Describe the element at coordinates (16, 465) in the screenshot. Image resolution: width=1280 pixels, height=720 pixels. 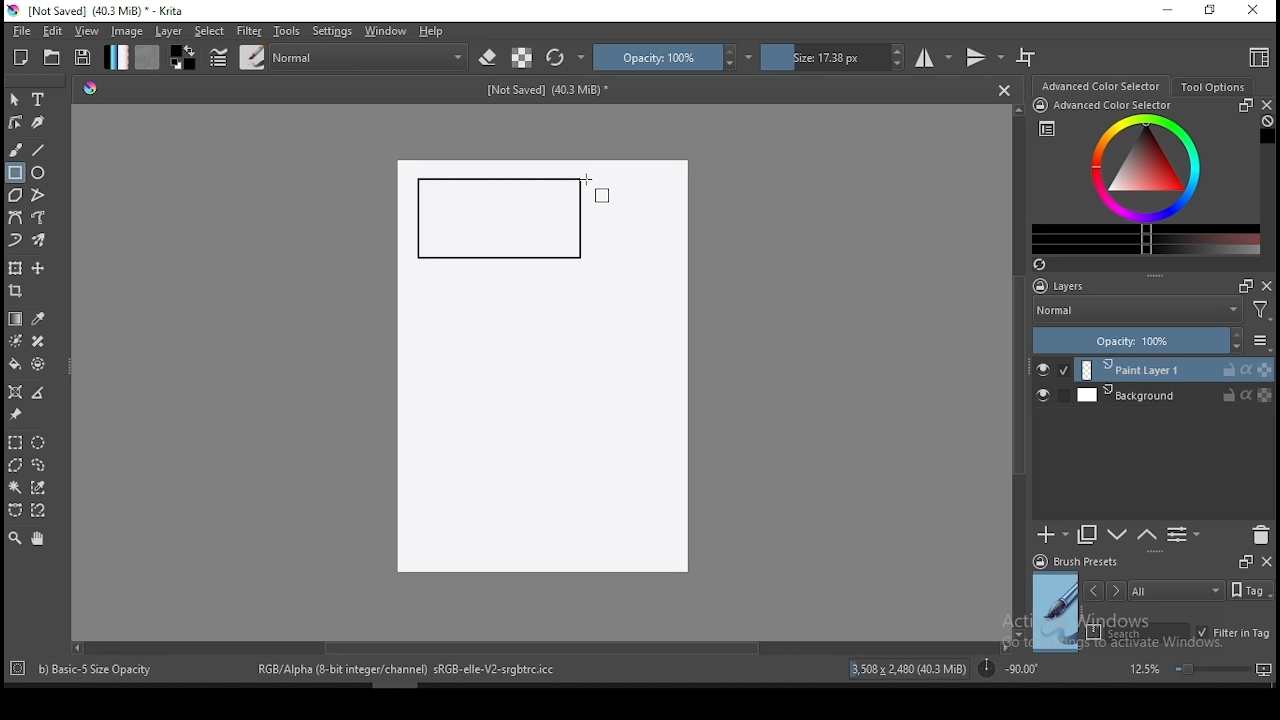
I see `polygon selection tool` at that location.